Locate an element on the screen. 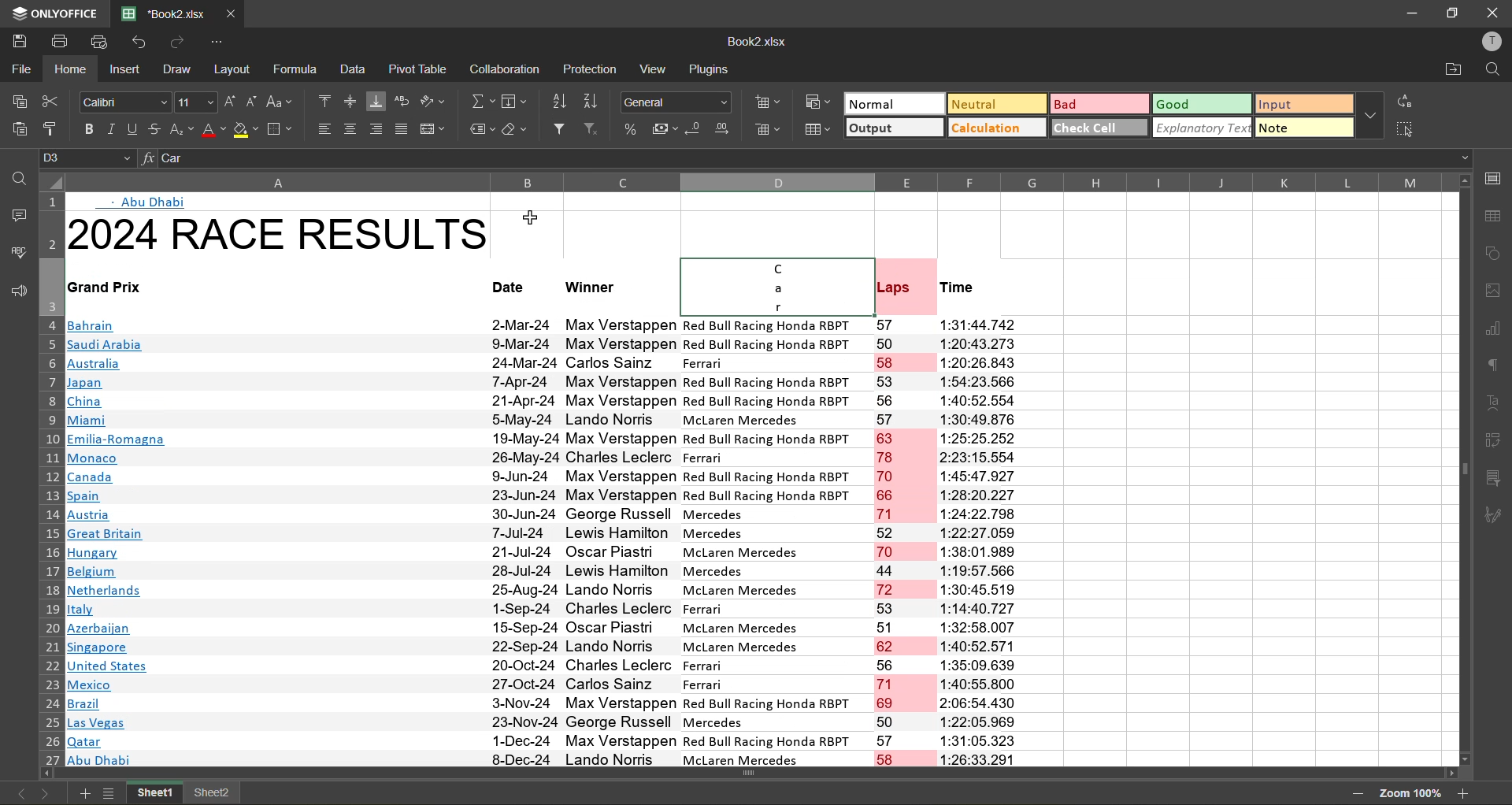  justified is located at coordinates (398, 130).